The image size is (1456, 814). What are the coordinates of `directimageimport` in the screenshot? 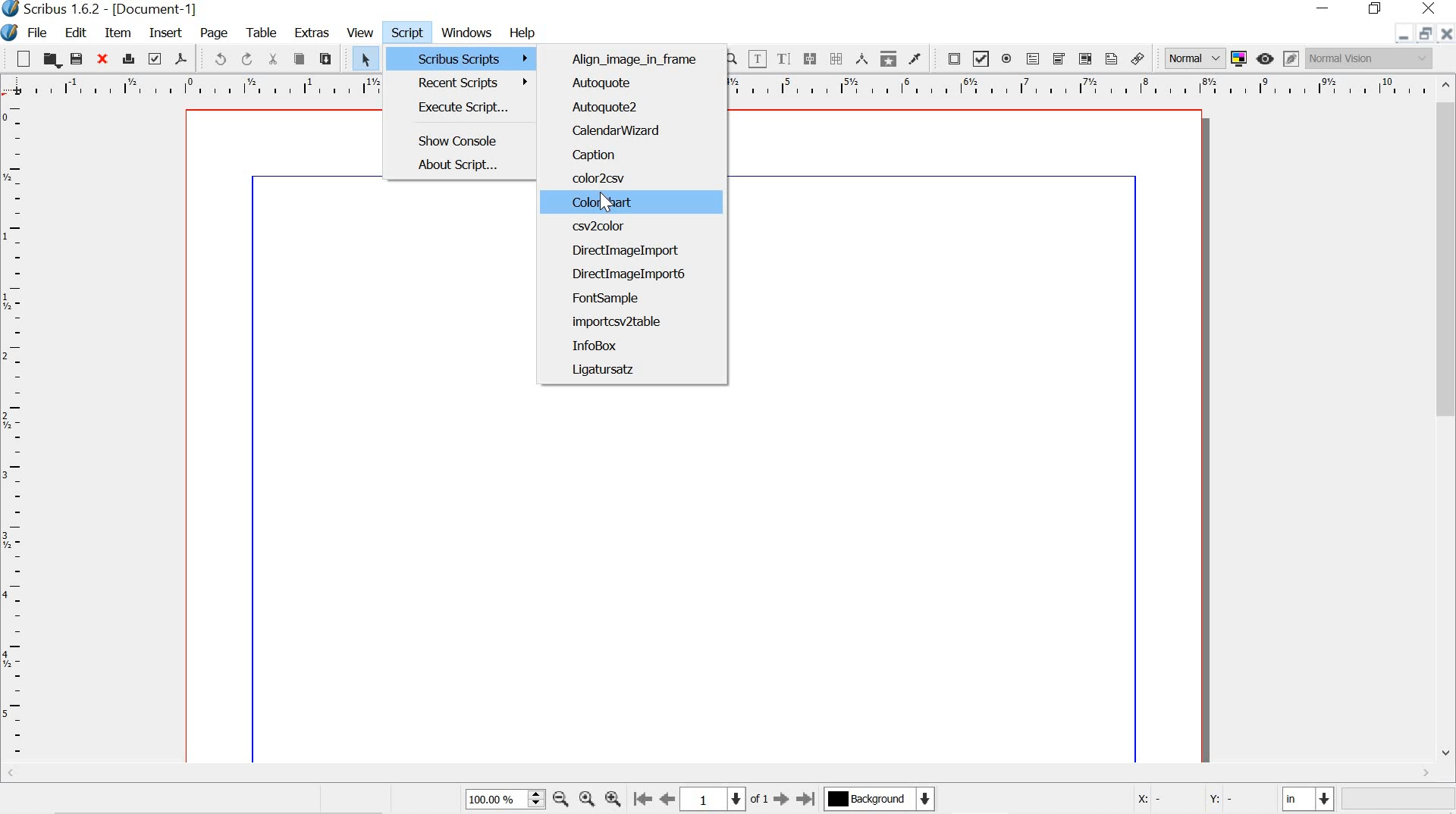 It's located at (638, 249).